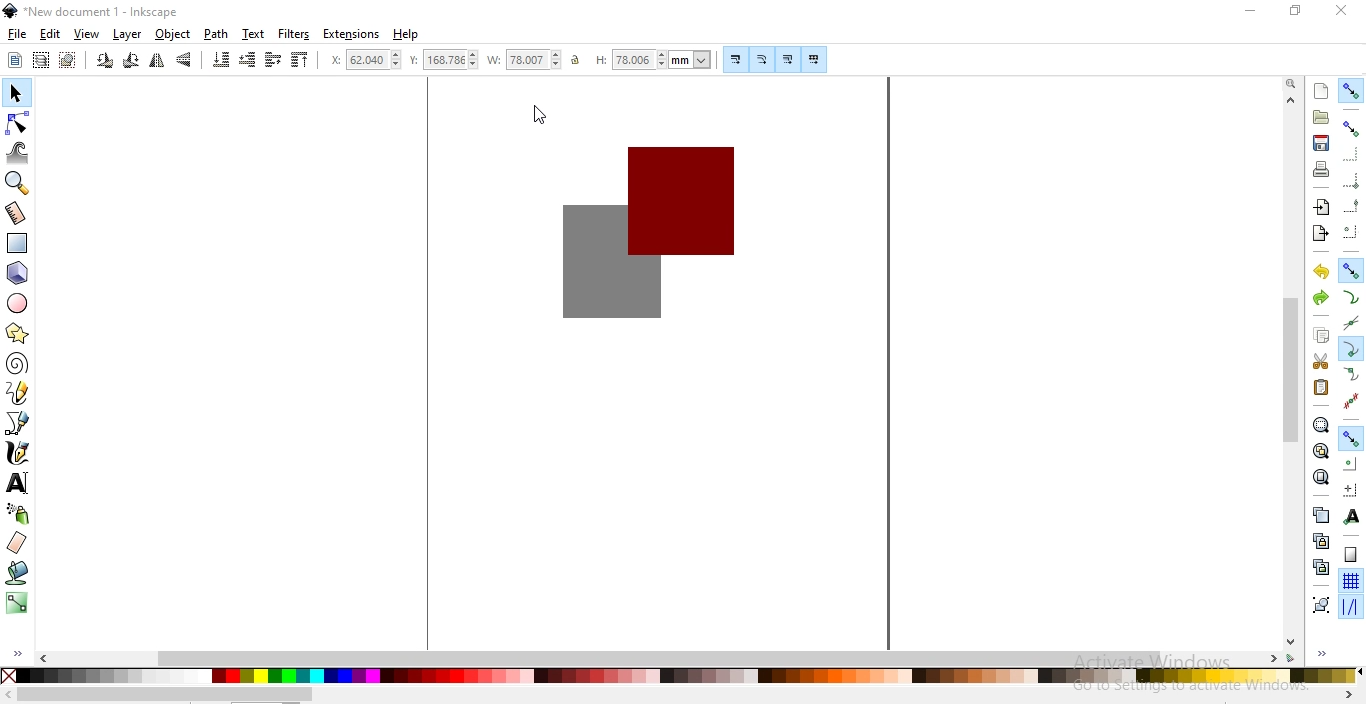 The height and width of the screenshot is (704, 1366). I want to click on new document 1 - Inkscape, so click(92, 11).